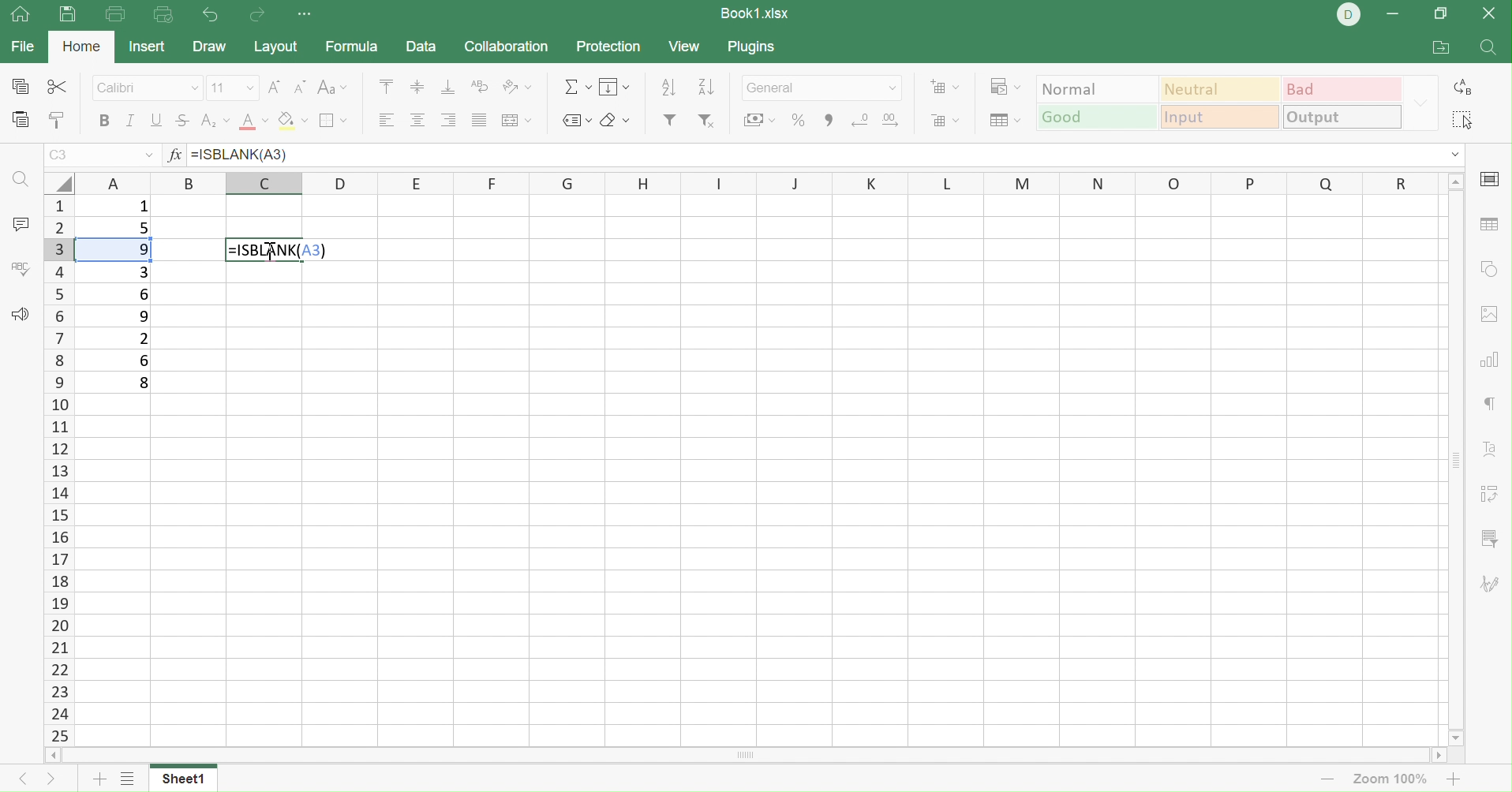 The height and width of the screenshot is (792, 1512). Describe the element at coordinates (129, 779) in the screenshot. I see `Add sheets` at that location.